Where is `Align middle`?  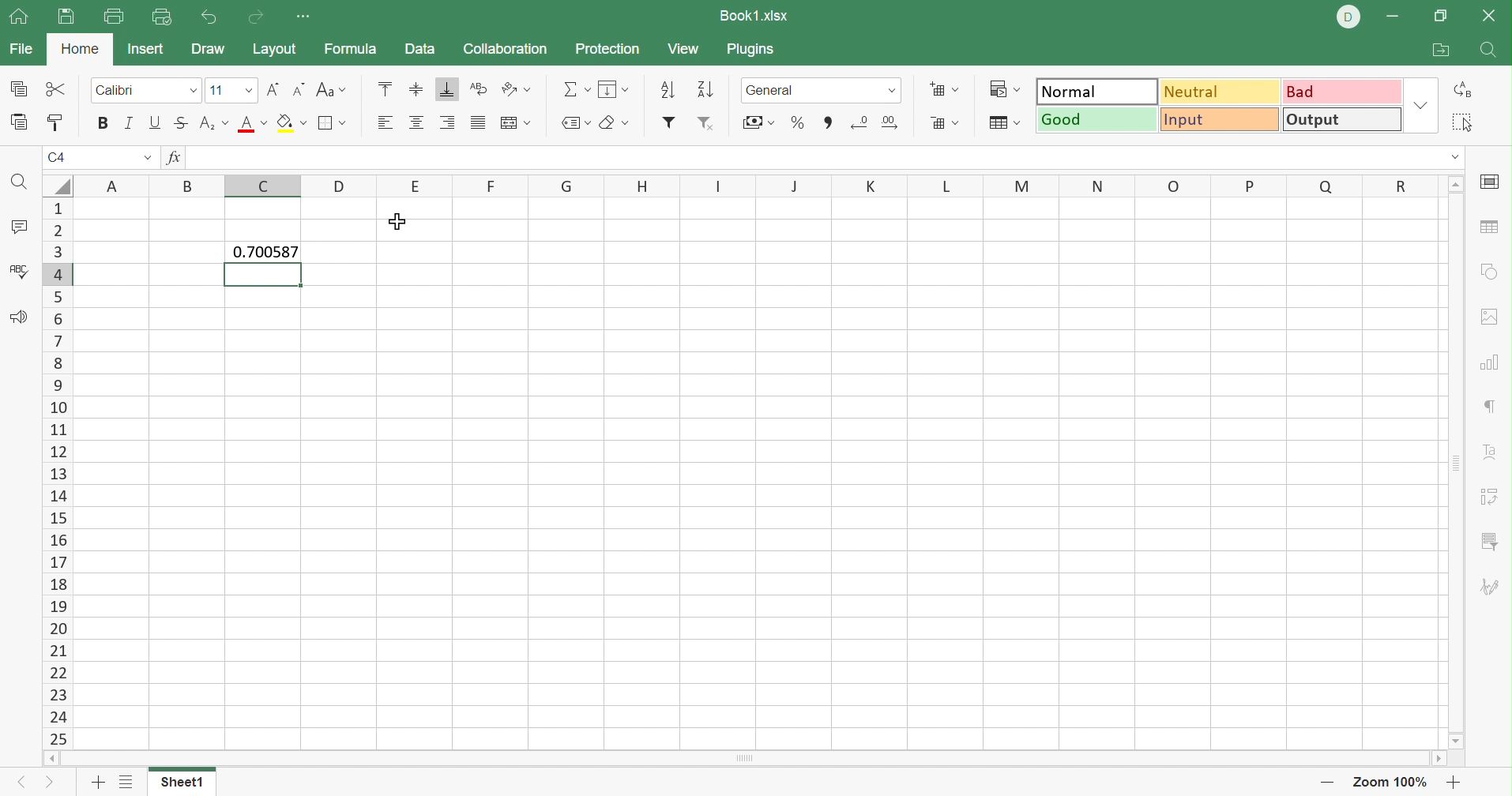 Align middle is located at coordinates (414, 88).